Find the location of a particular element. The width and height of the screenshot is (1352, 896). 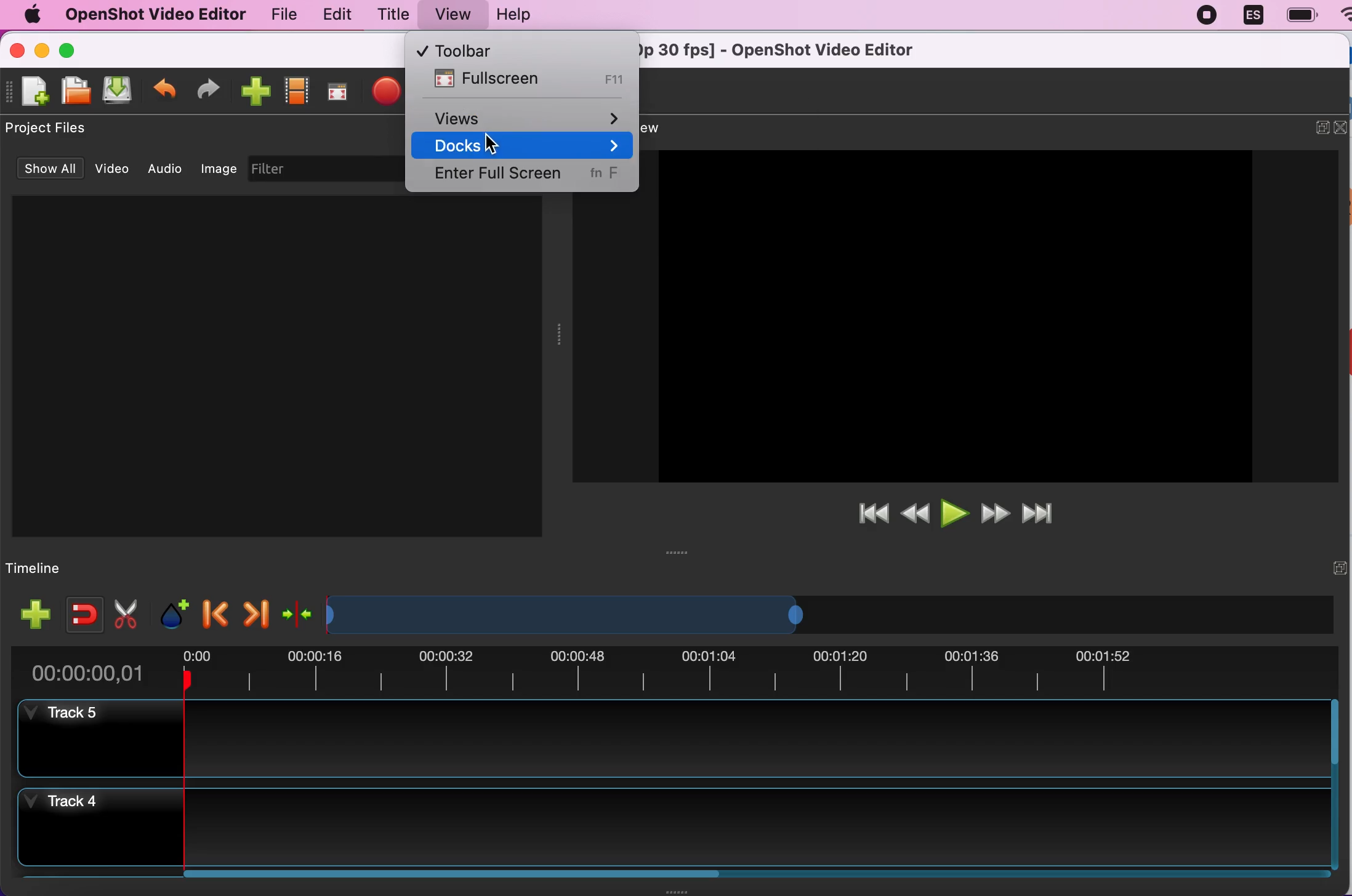

next marker is located at coordinates (254, 611).